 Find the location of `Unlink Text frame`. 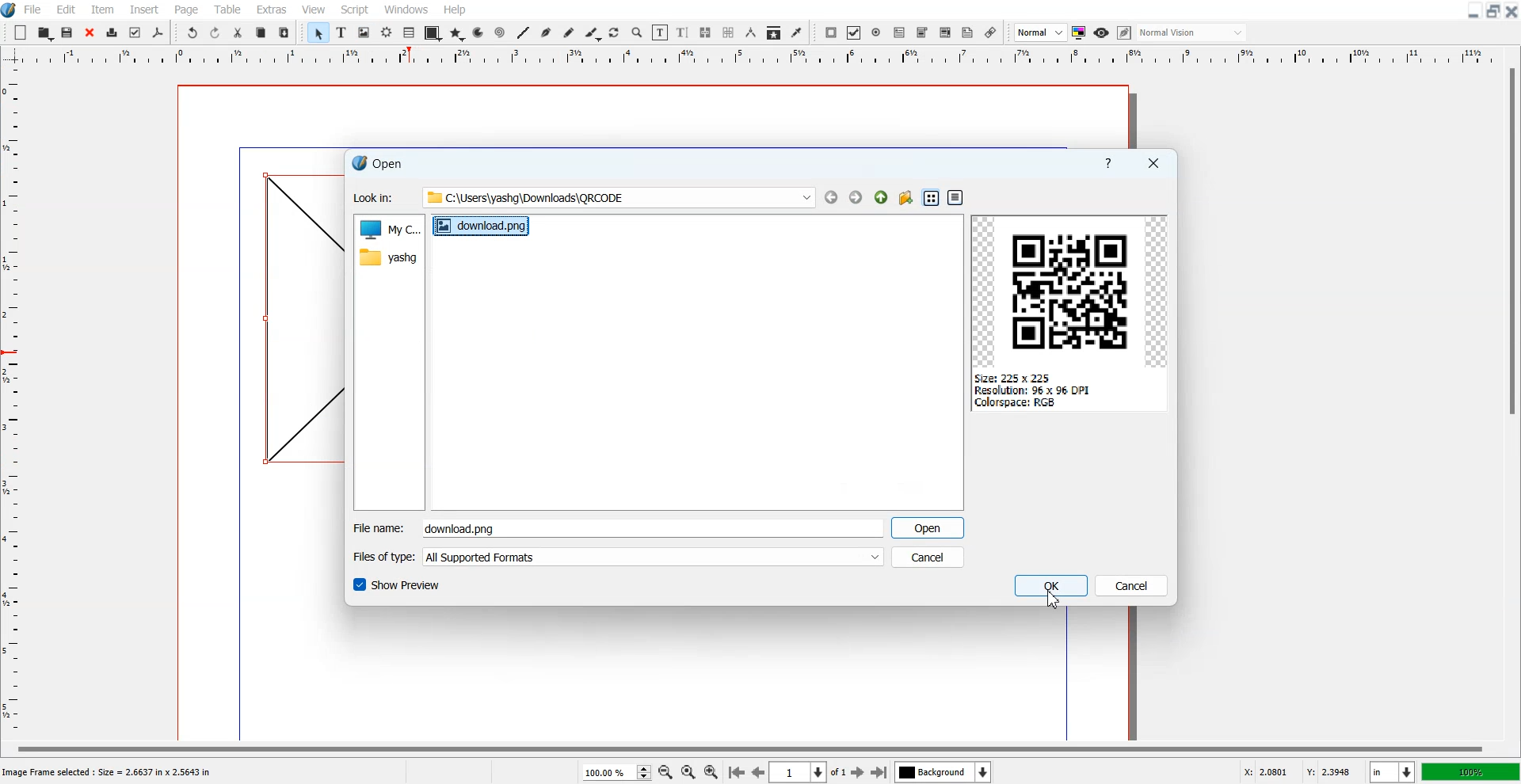

Unlink Text frame is located at coordinates (729, 32).